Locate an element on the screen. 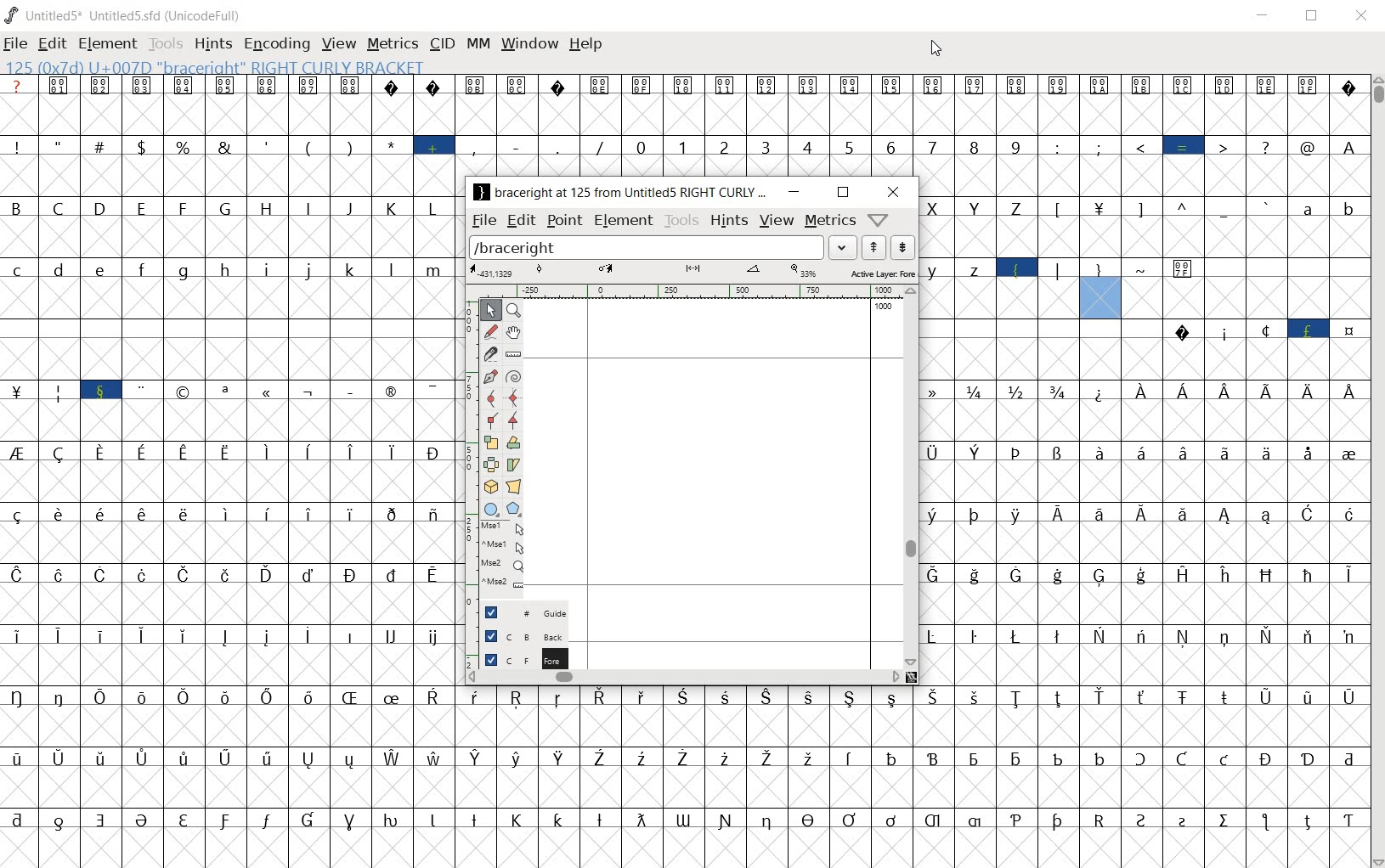 The width and height of the screenshot is (1385, 868). HELP is located at coordinates (586, 43).